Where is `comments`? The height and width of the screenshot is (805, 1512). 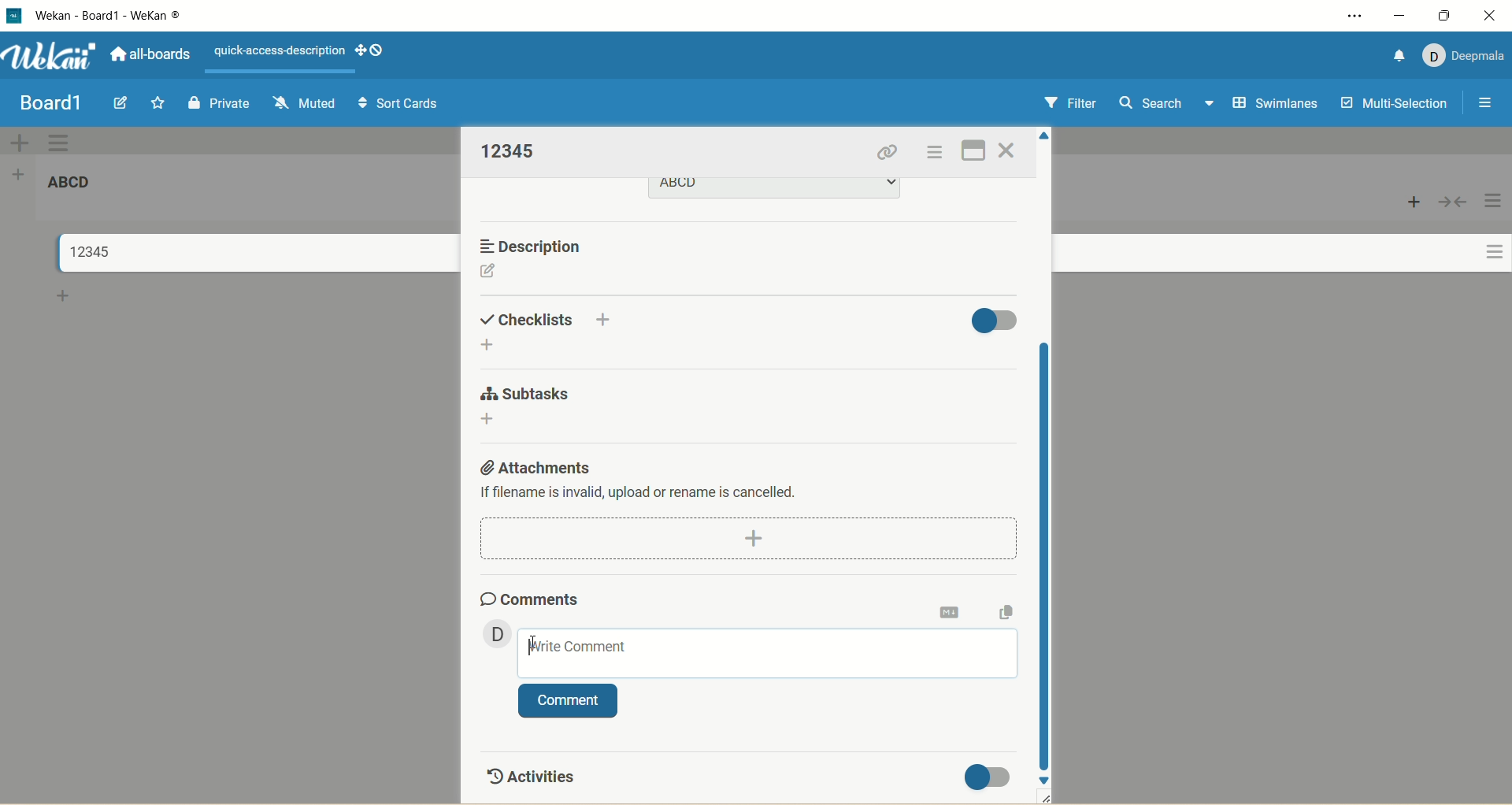
comments is located at coordinates (528, 596).